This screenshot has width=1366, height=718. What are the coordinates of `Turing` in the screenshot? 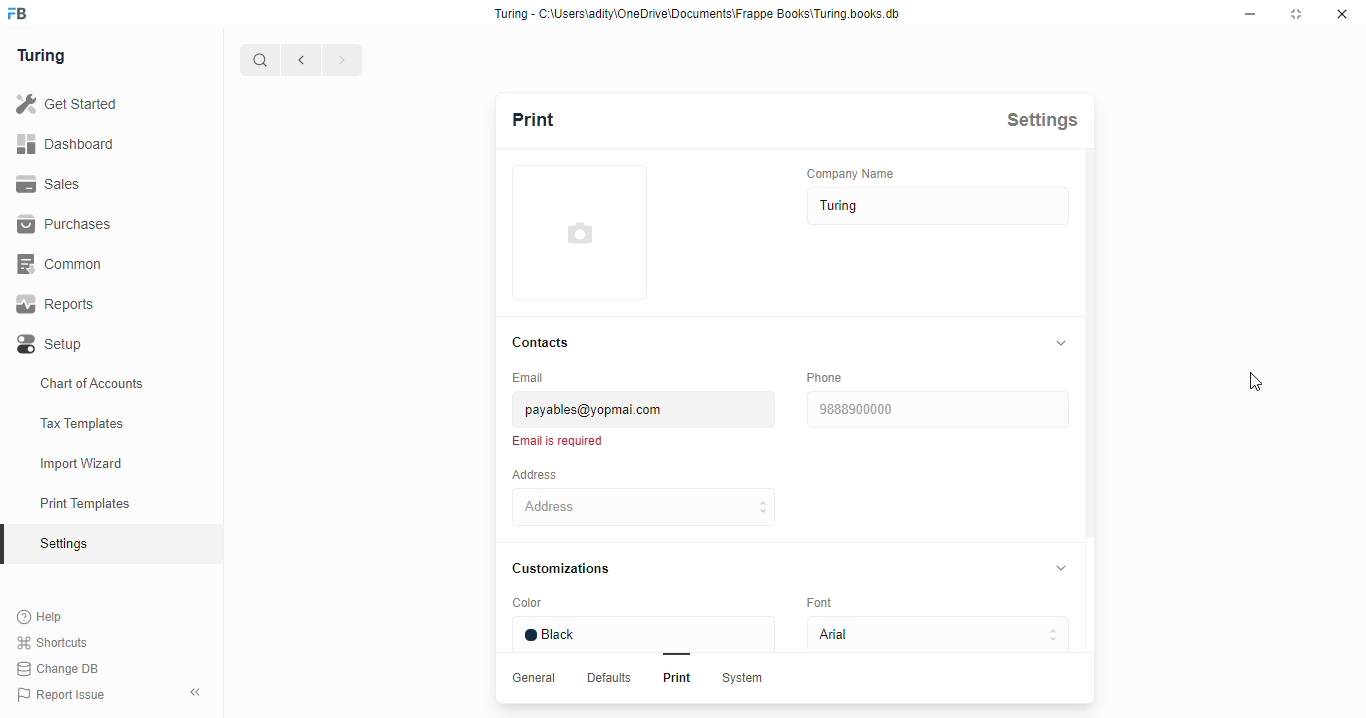 It's located at (45, 54).